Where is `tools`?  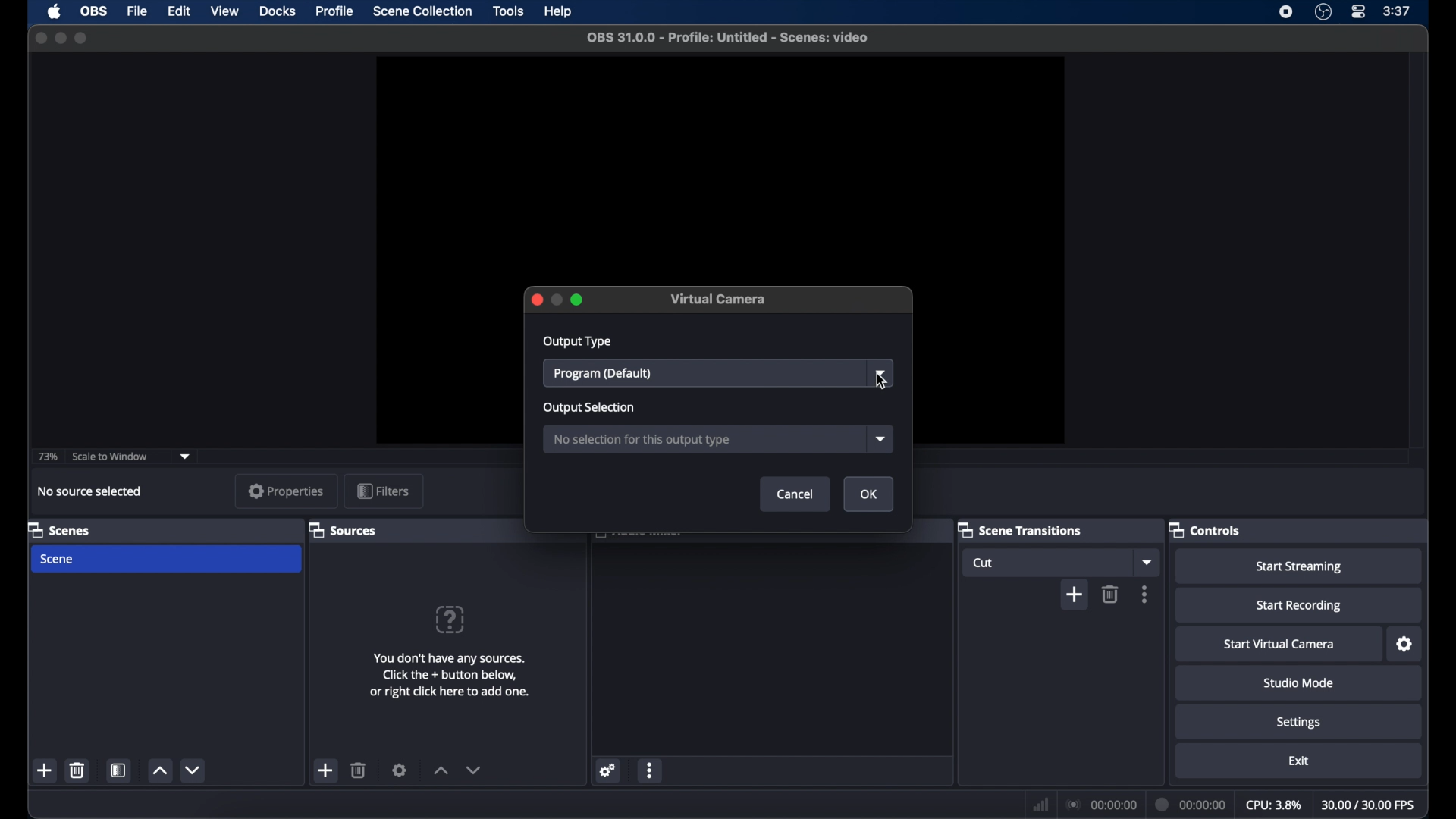
tools is located at coordinates (508, 11).